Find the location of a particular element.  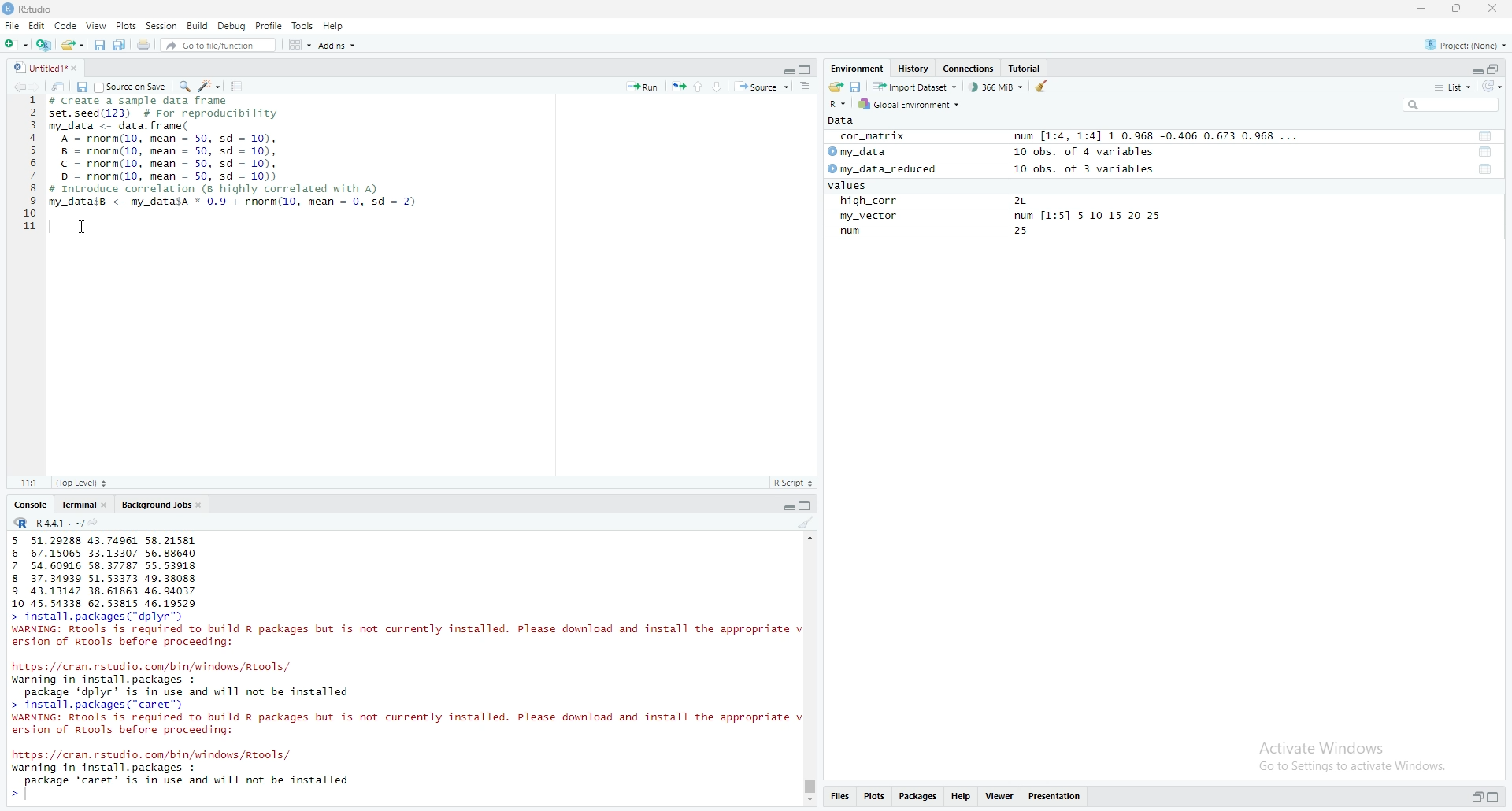

Background Jobs is located at coordinates (157, 505).